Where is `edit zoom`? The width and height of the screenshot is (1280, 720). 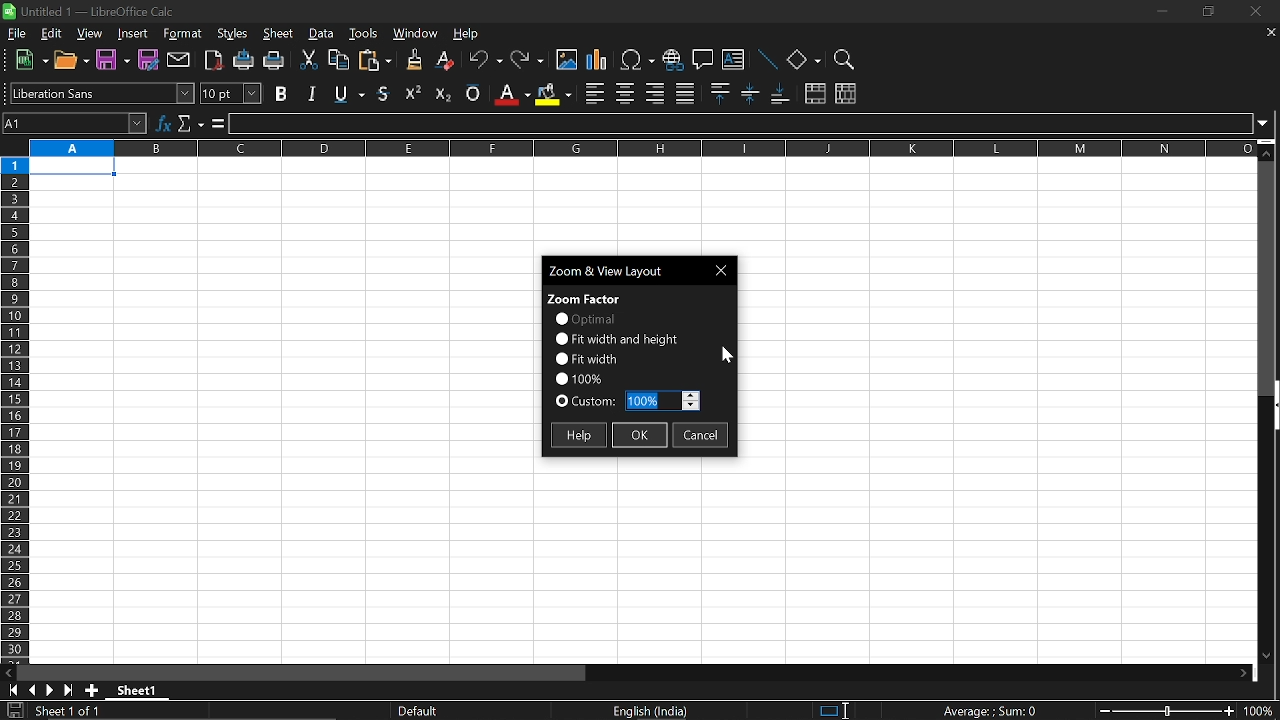 edit zoom is located at coordinates (662, 401).